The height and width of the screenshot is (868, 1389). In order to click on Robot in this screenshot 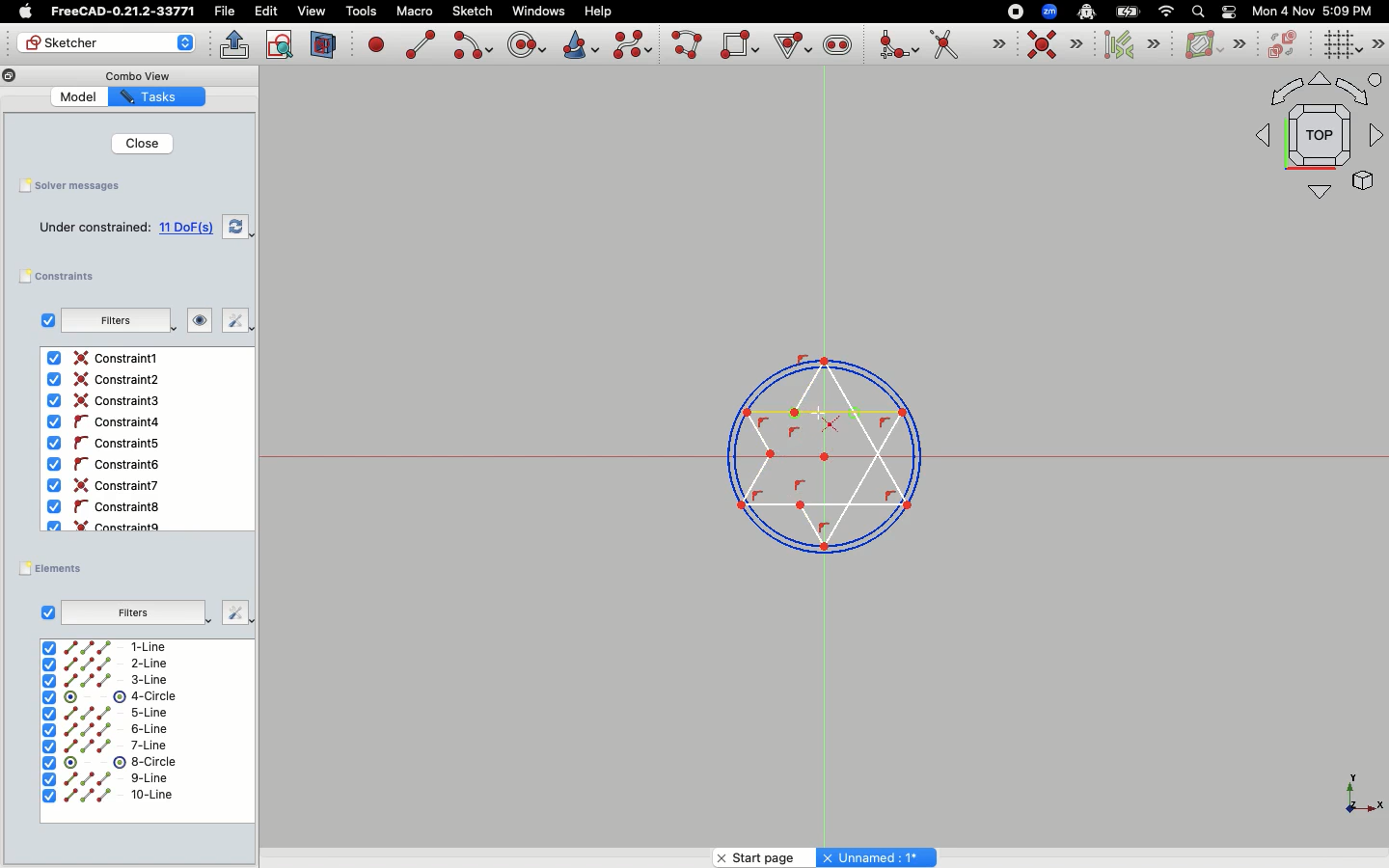, I will do `click(1086, 14)`.